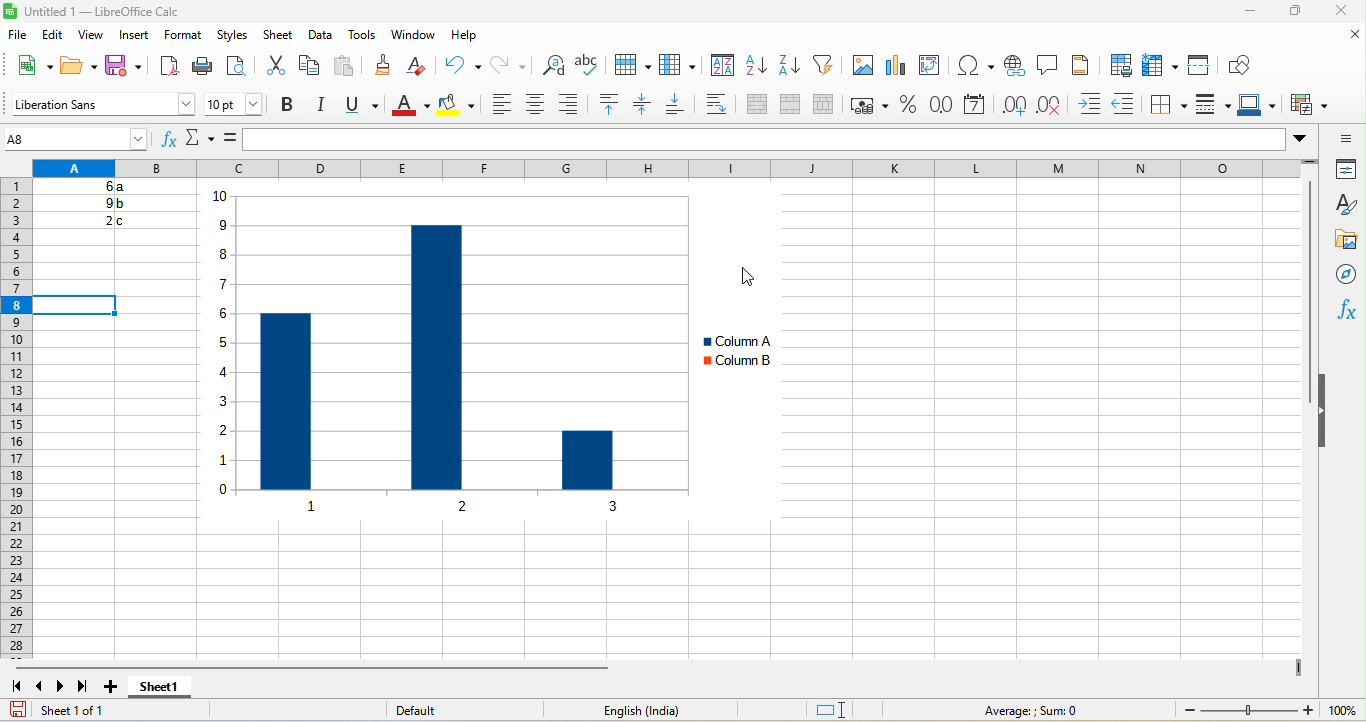 The image size is (1366, 722). I want to click on wrap text, so click(721, 107).